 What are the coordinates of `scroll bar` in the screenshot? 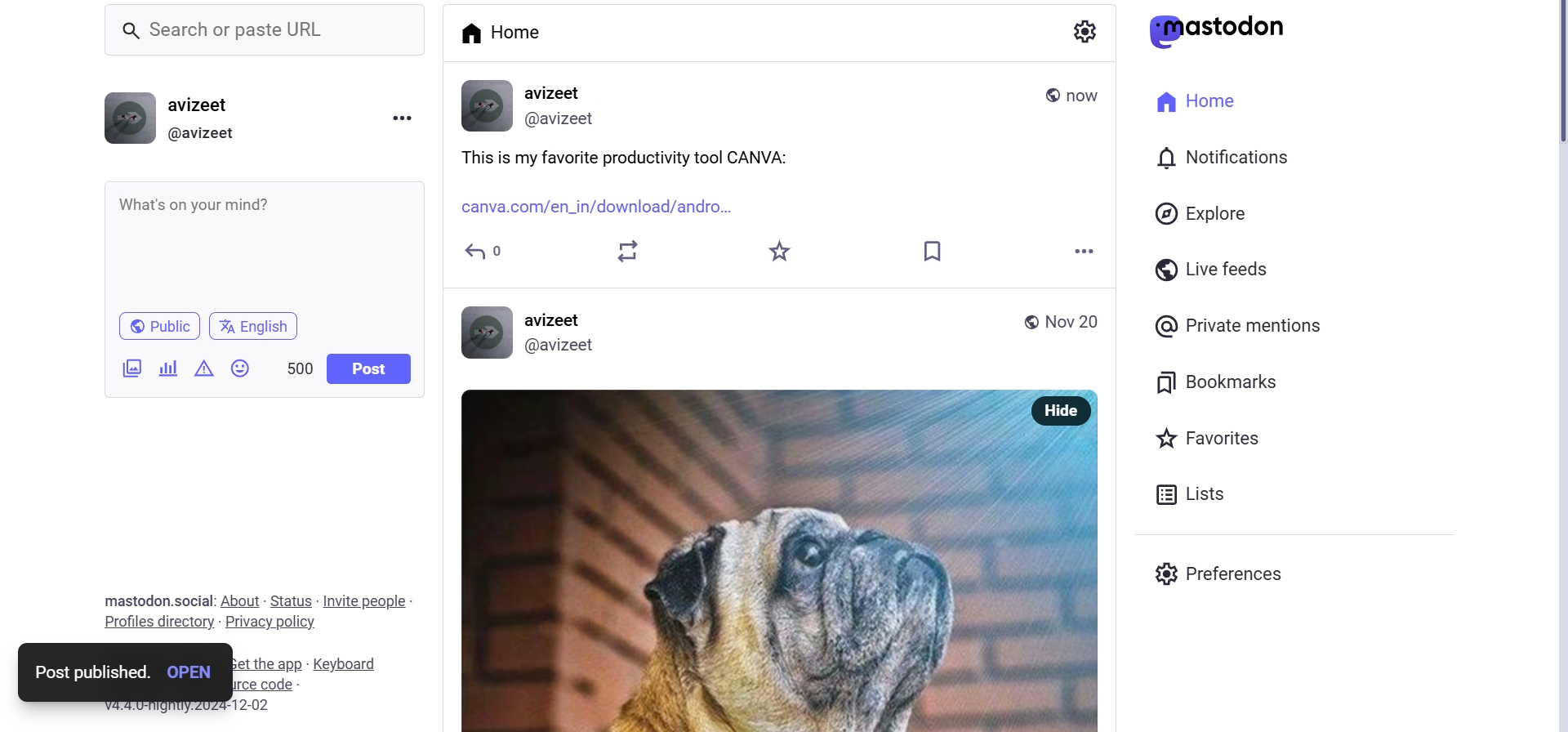 It's located at (1542, 88).